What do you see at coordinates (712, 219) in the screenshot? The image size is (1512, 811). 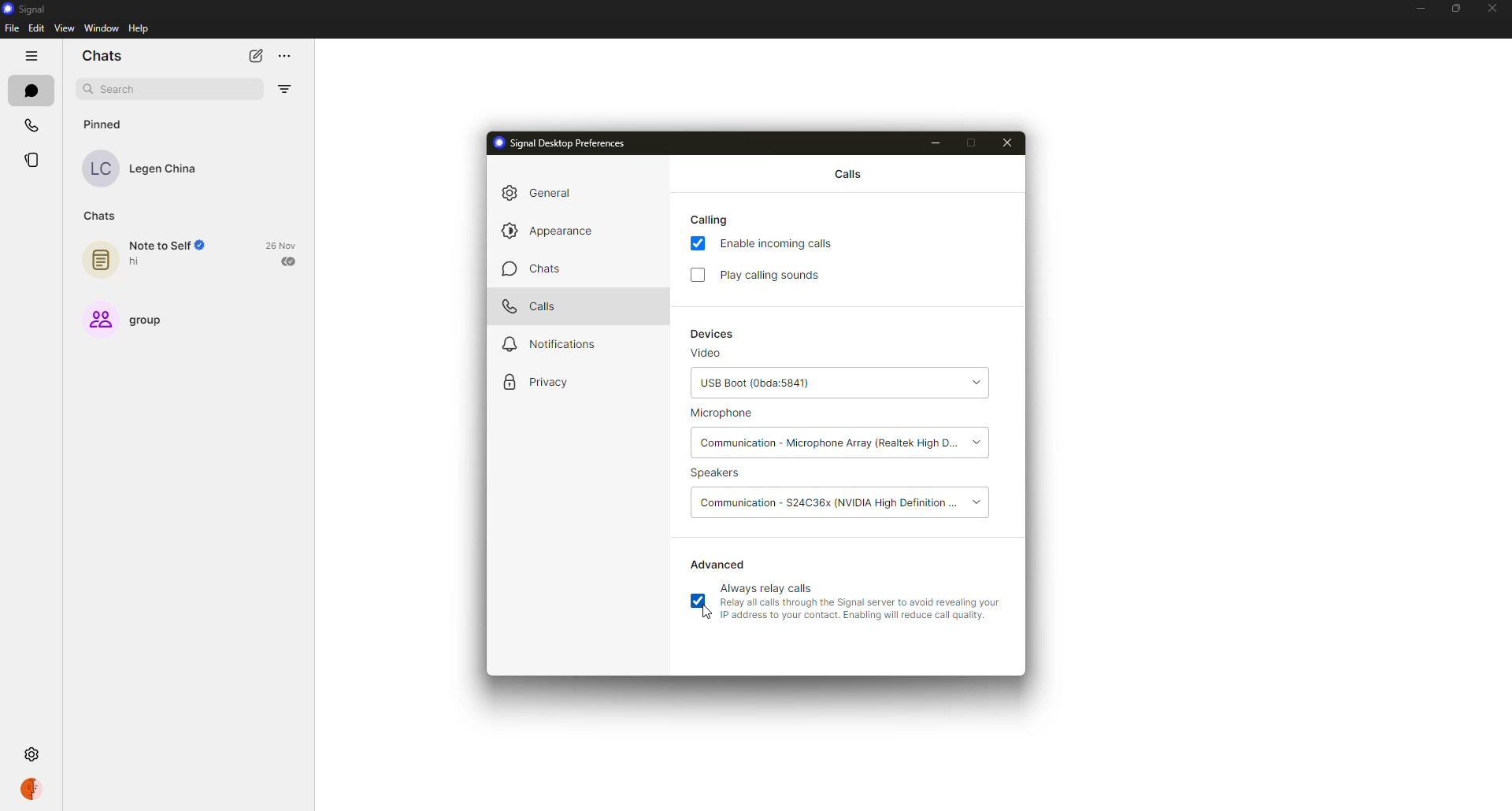 I see `calling` at bounding box center [712, 219].